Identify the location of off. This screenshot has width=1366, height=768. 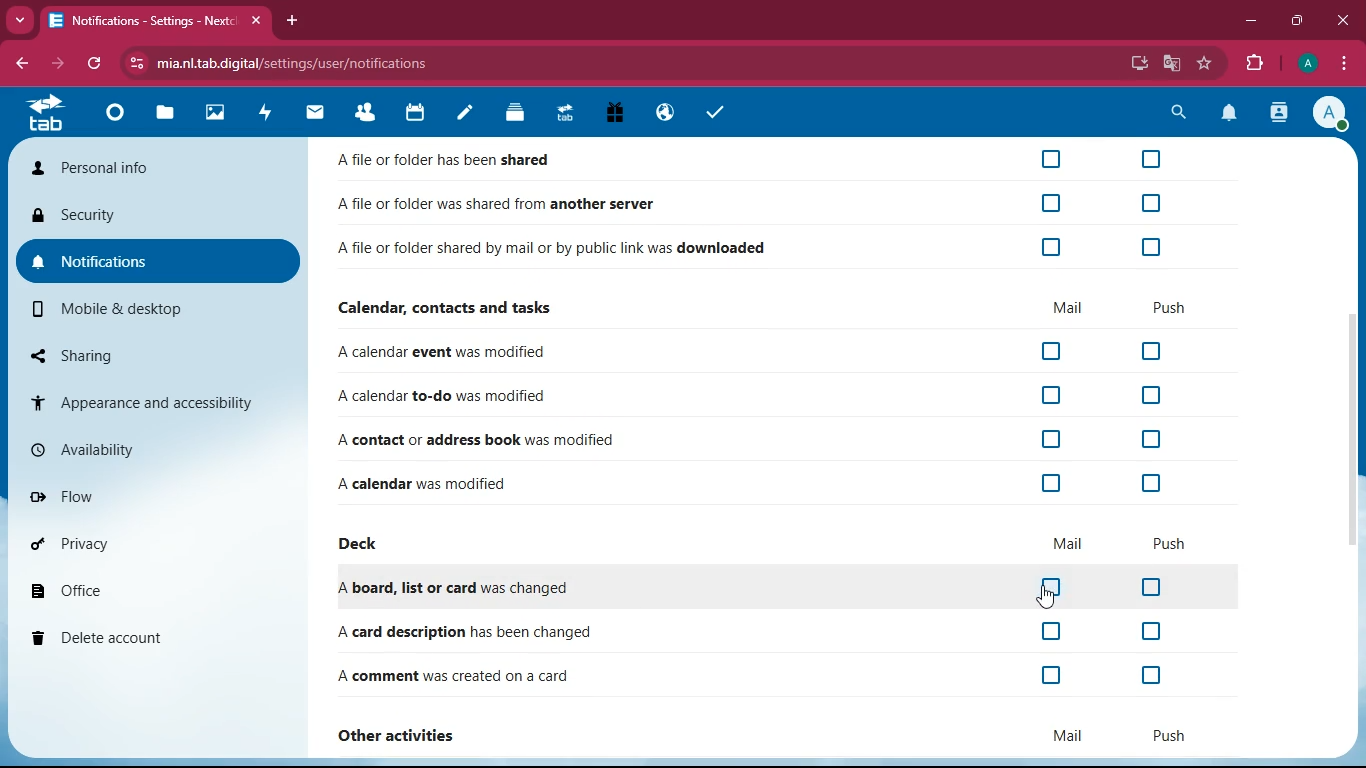
(1053, 482).